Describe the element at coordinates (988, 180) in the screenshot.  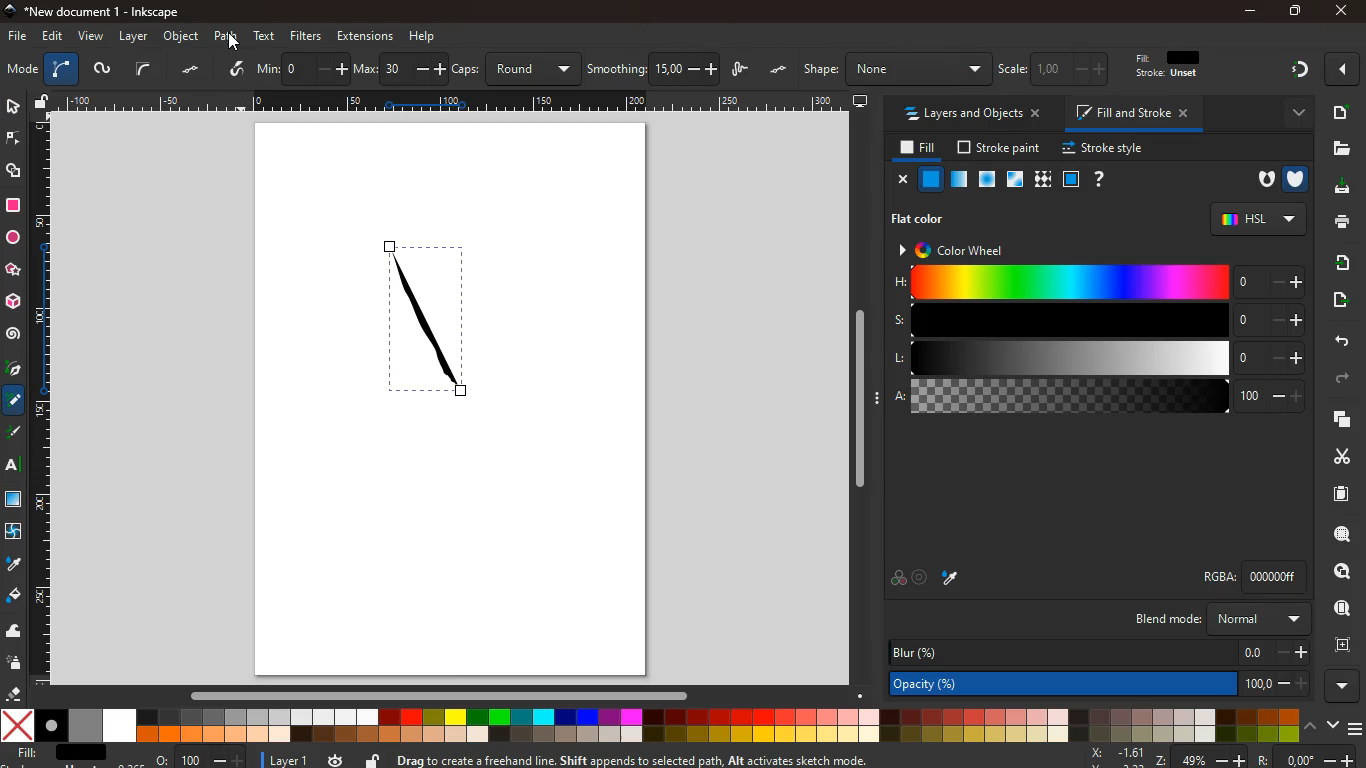
I see `opacity` at that location.